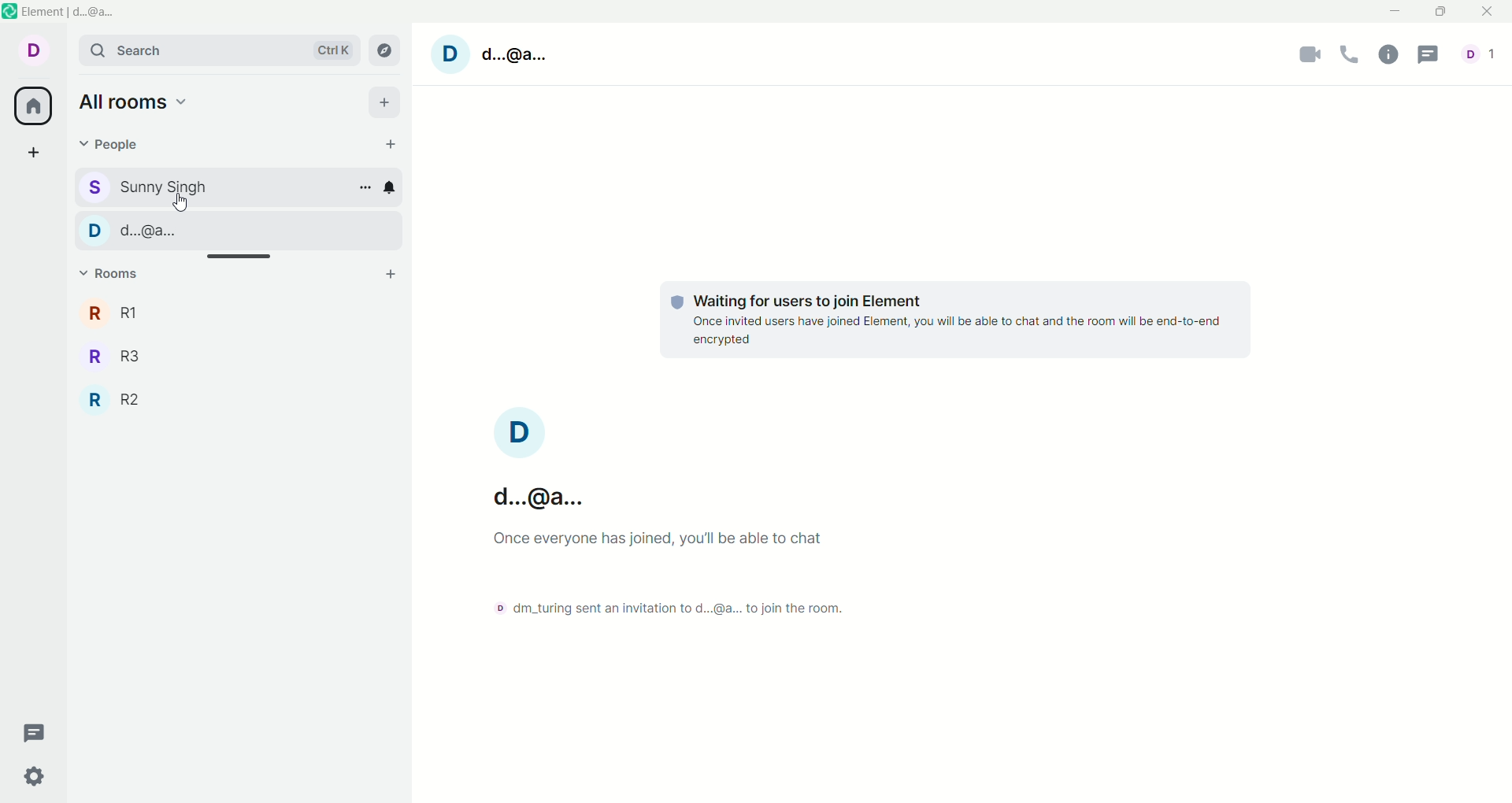  Describe the element at coordinates (34, 155) in the screenshot. I see `create a space` at that location.